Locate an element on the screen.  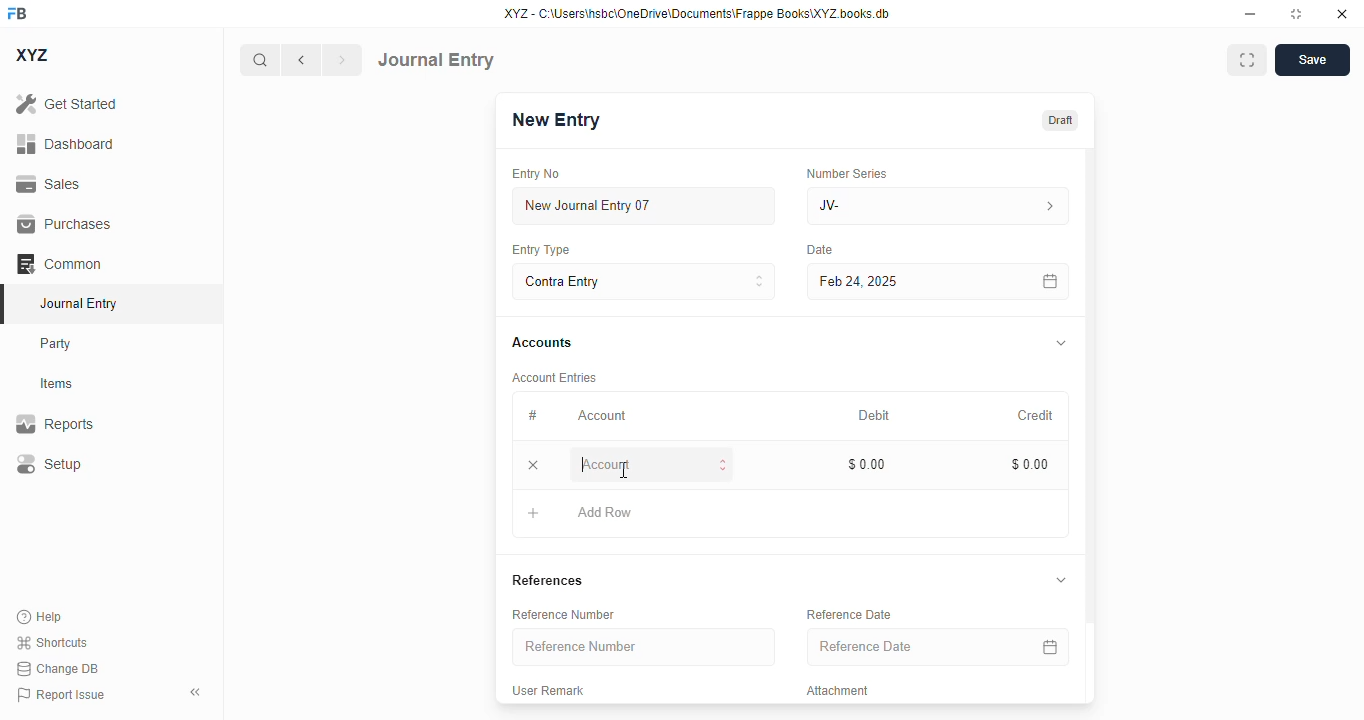
feb 24, 2025 is located at coordinates (895, 282).